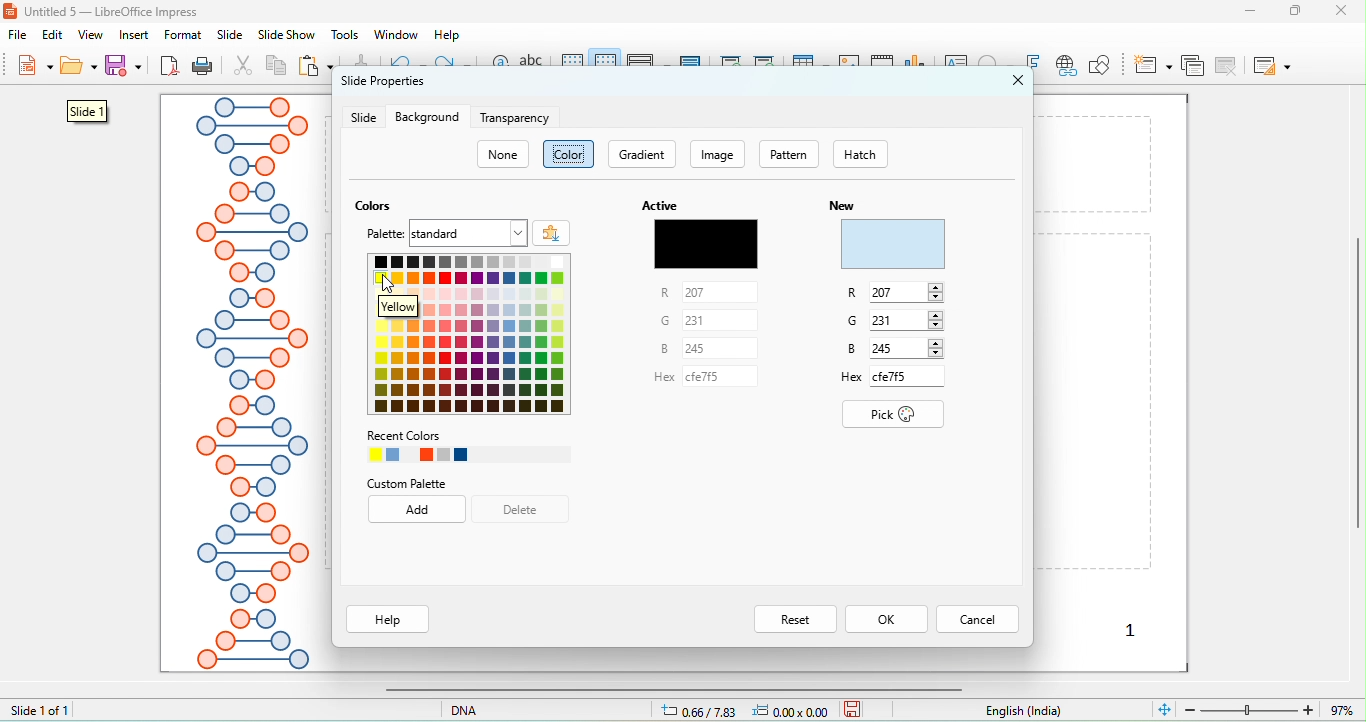 The width and height of the screenshot is (1366, 722). What do you see at coordinates (810, 65) in the screenshot?
I see `table` at bounding box center [810, 65].